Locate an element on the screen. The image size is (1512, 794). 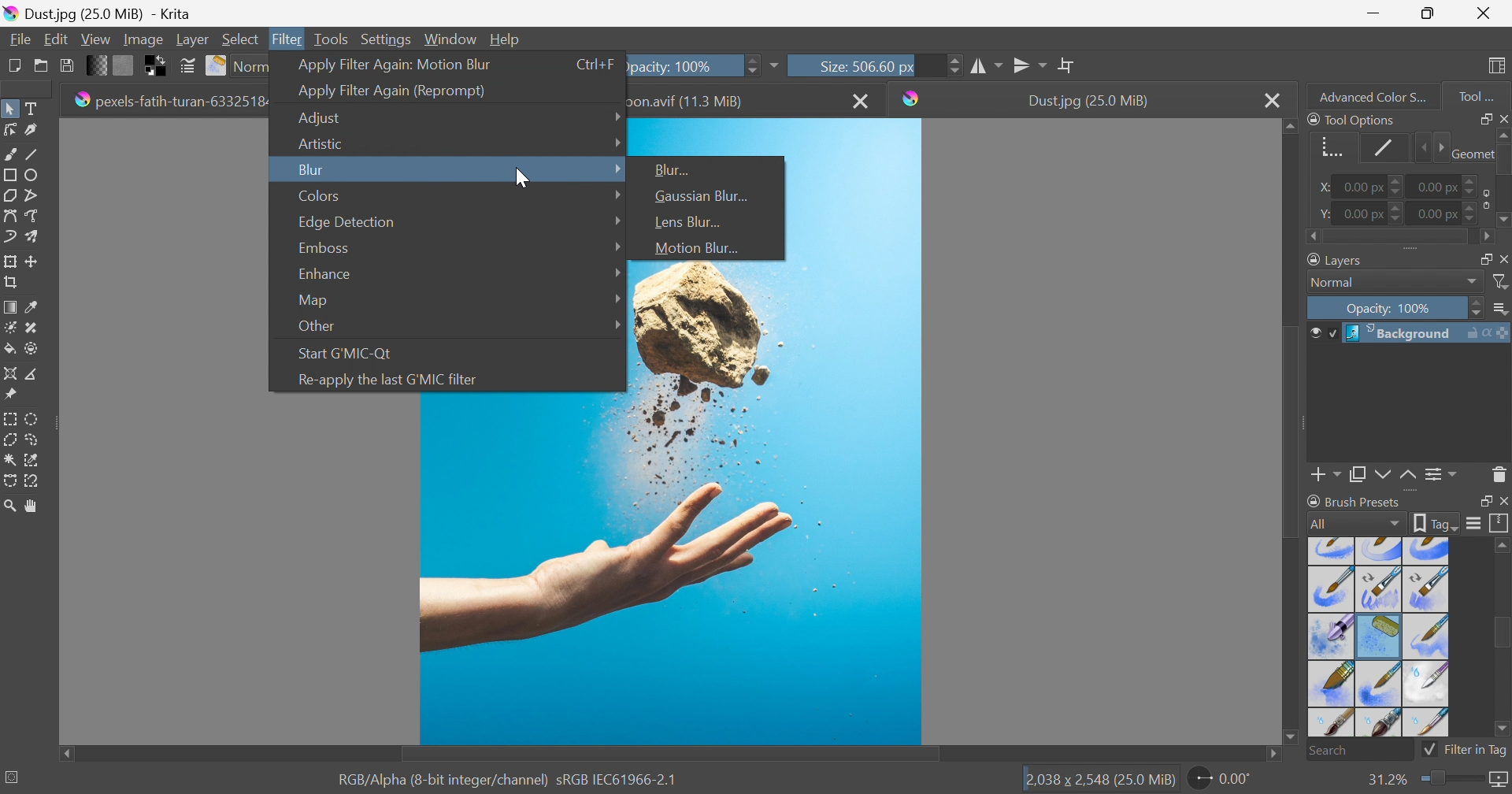
Text tool is located at coordinates (35, 109).